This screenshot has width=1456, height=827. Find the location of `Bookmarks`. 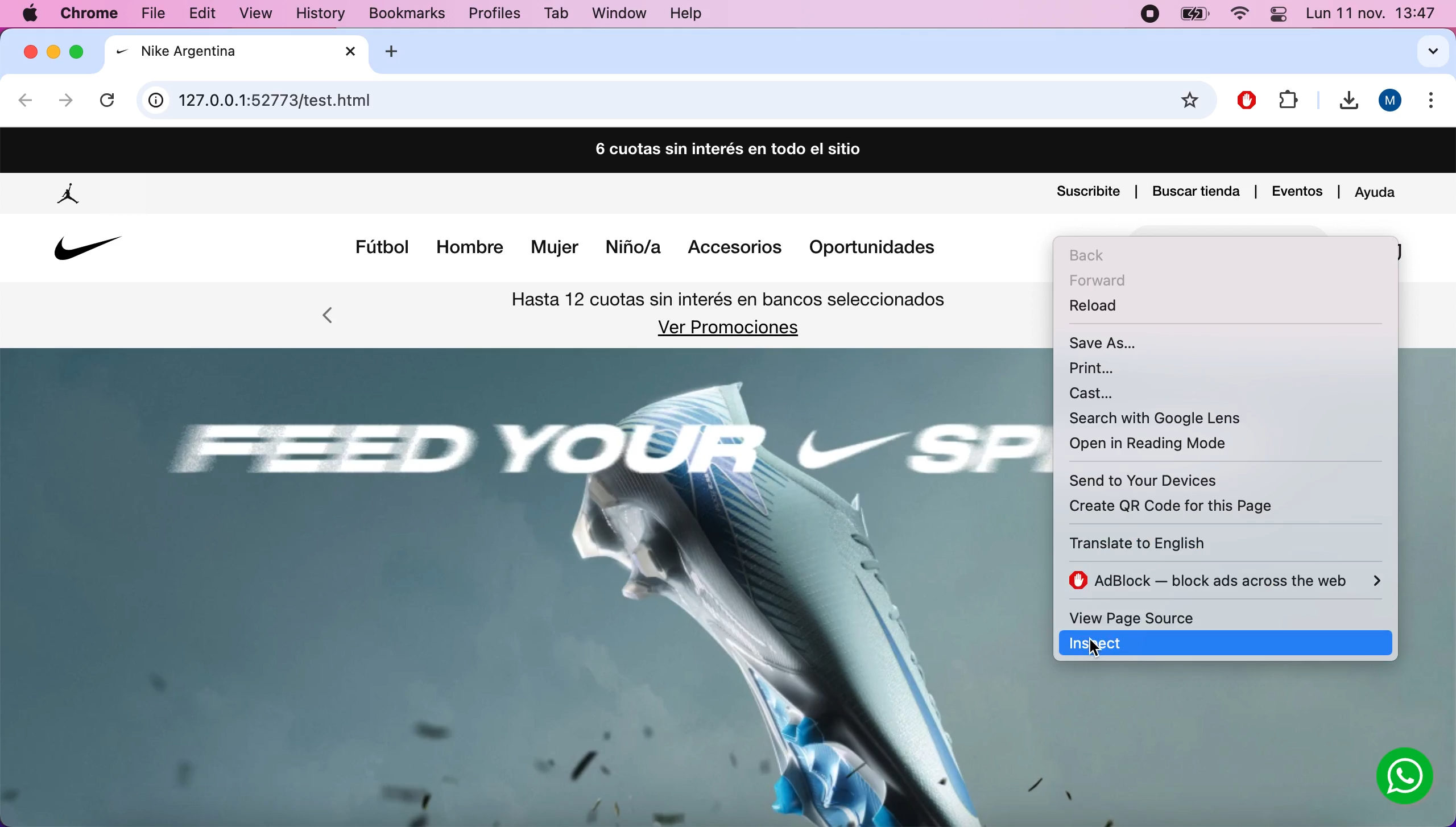

Bookmarks is located at coordinates (398, 14).